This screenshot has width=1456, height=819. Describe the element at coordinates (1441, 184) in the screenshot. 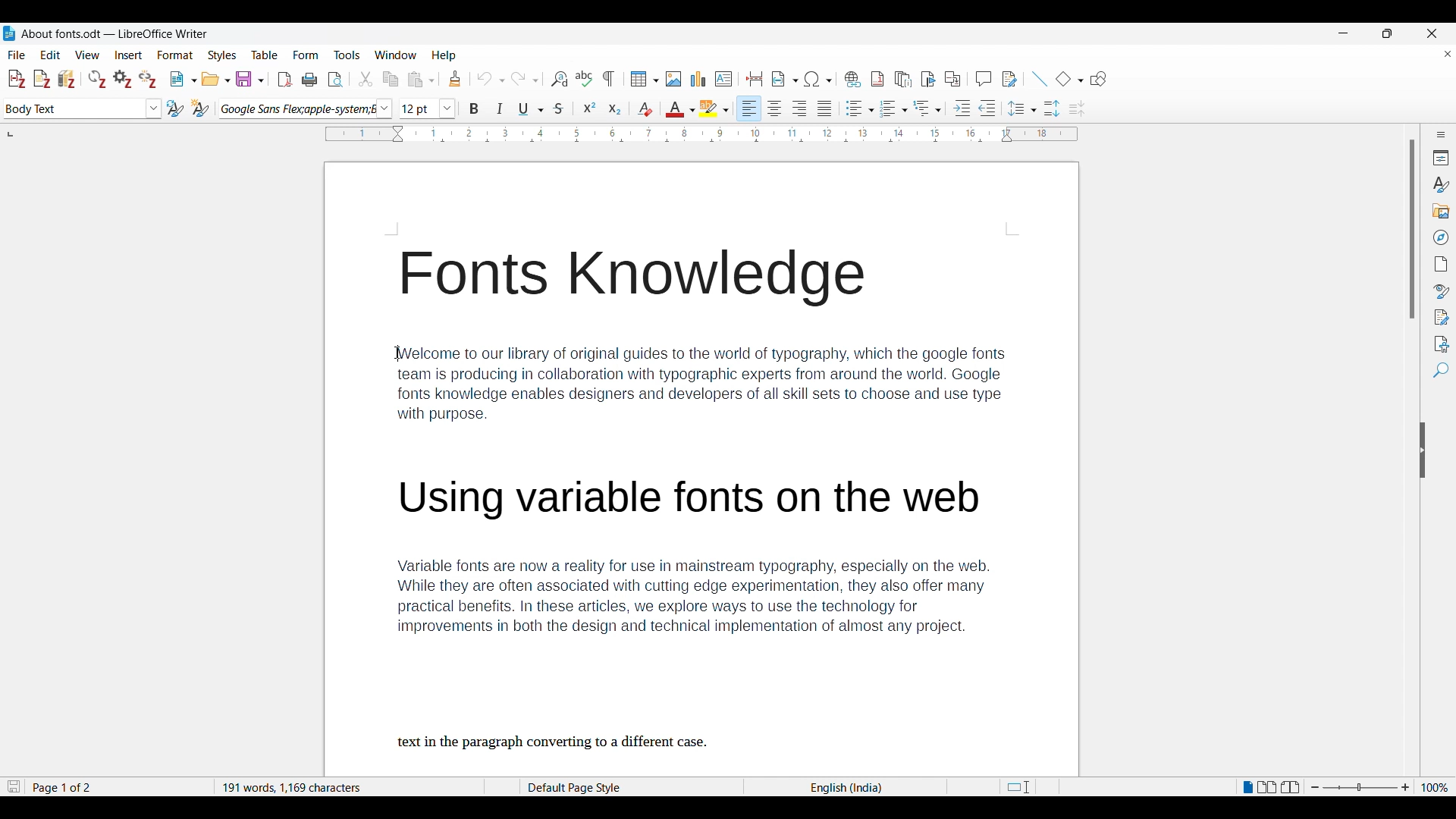

I see `Styles` at that location.